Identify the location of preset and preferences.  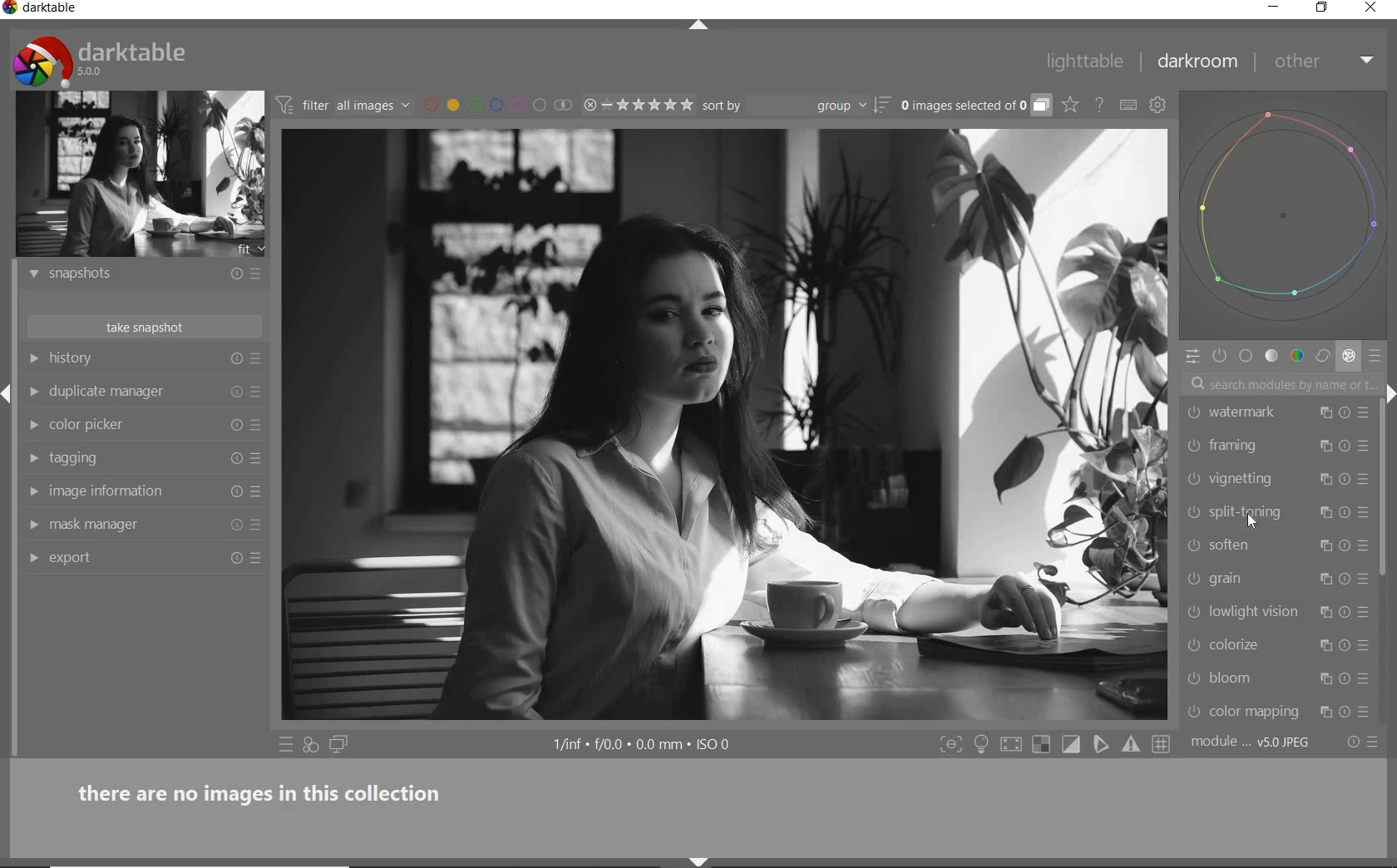
(1367, 713).